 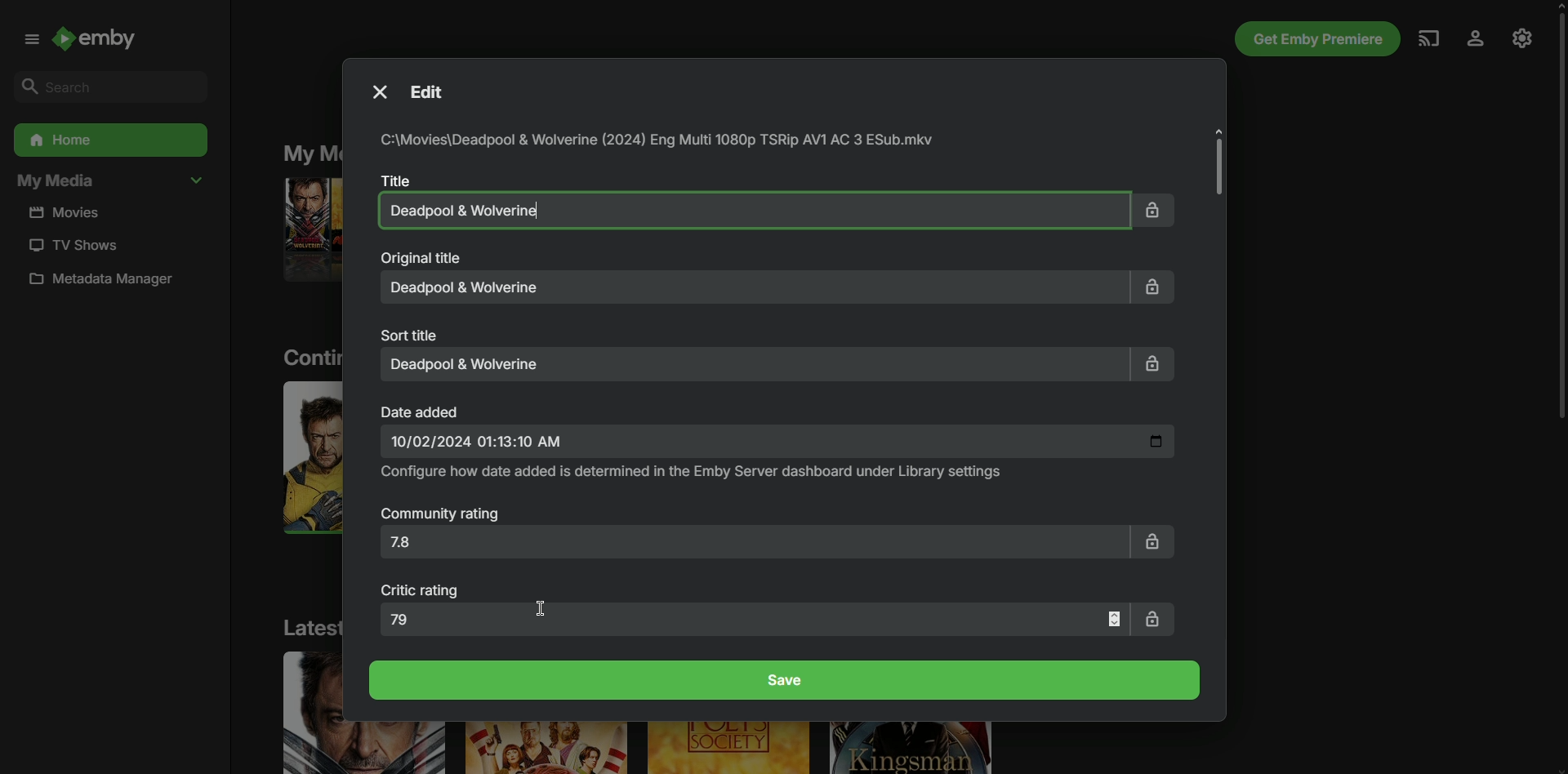 What do you see at coordinates (751, 363) in the screenshot?
I see `Deadpool and Wolverine` at bounding box center [751, 363].